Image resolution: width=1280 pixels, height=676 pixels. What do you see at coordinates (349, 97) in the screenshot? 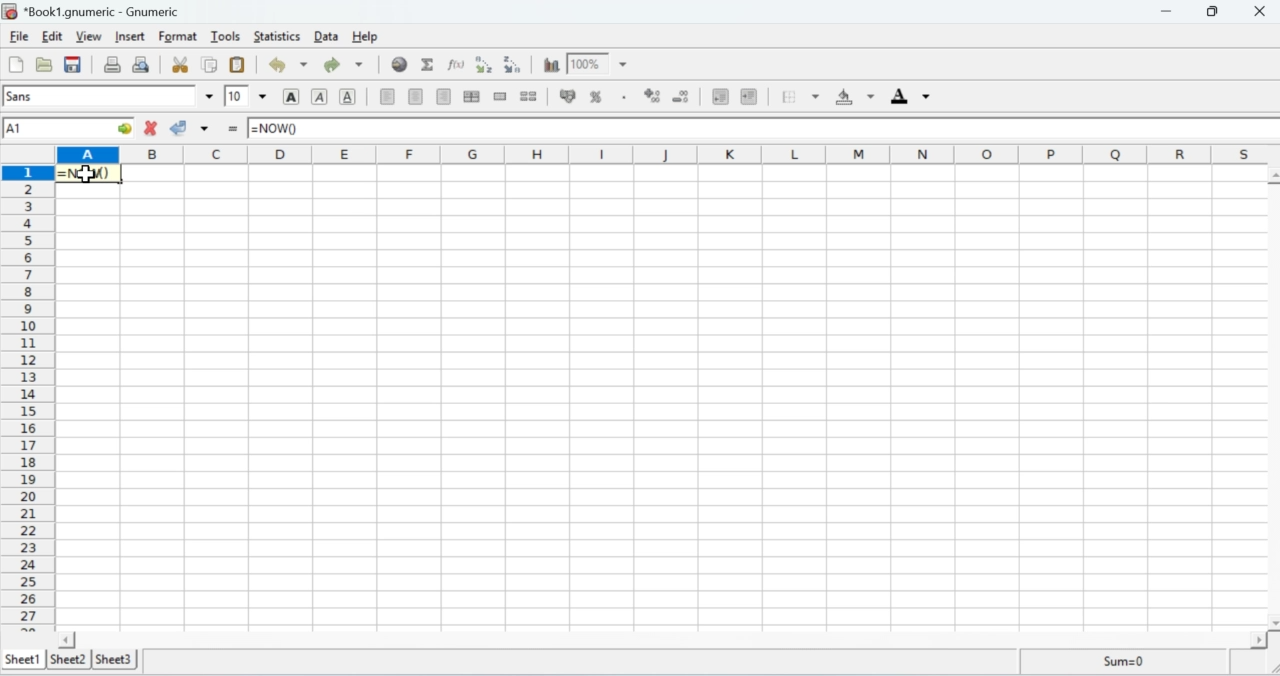
I see `Underline` at bounding box center [349, 97].